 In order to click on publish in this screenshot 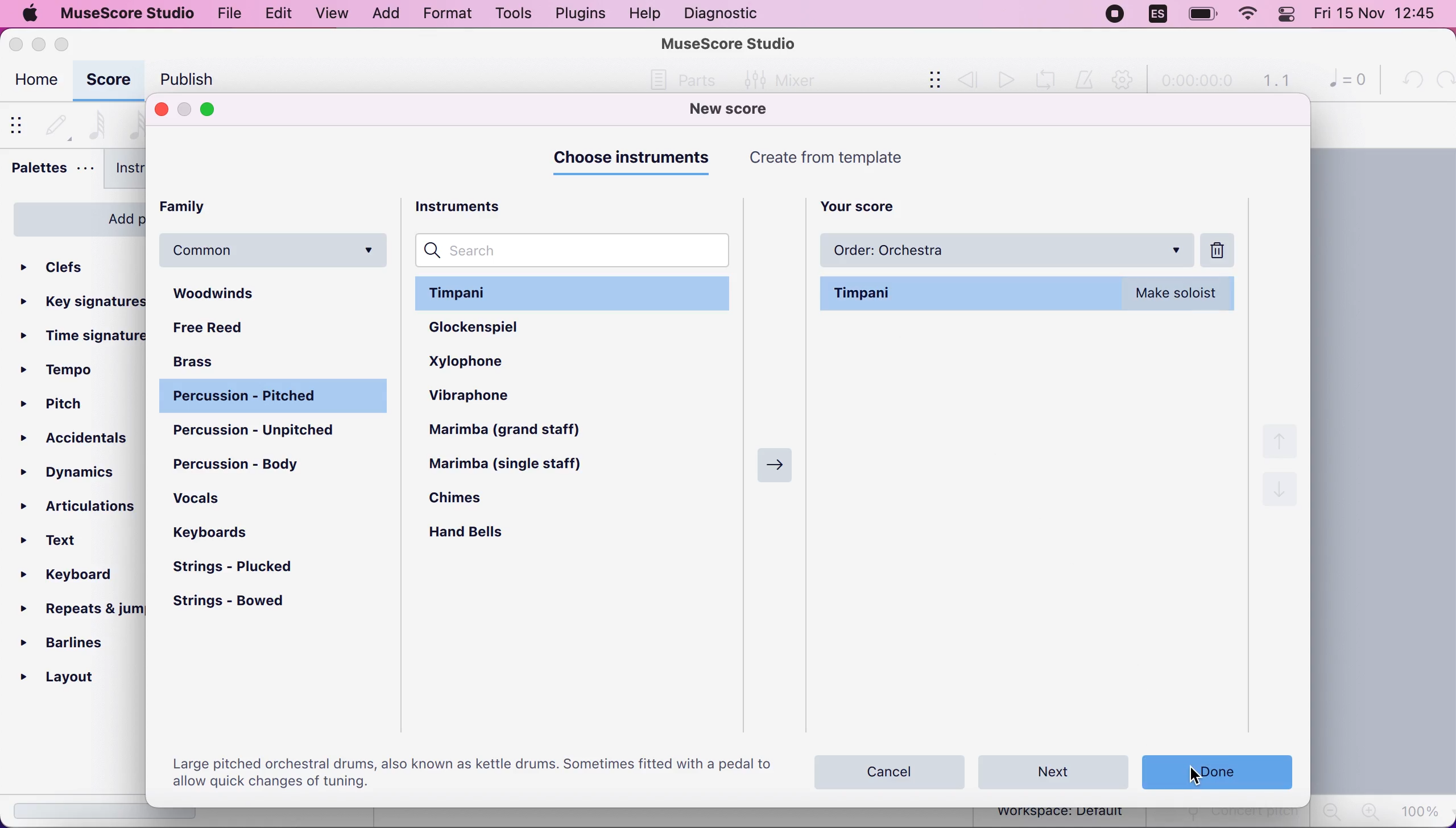, I will do `click(184, 79)`.